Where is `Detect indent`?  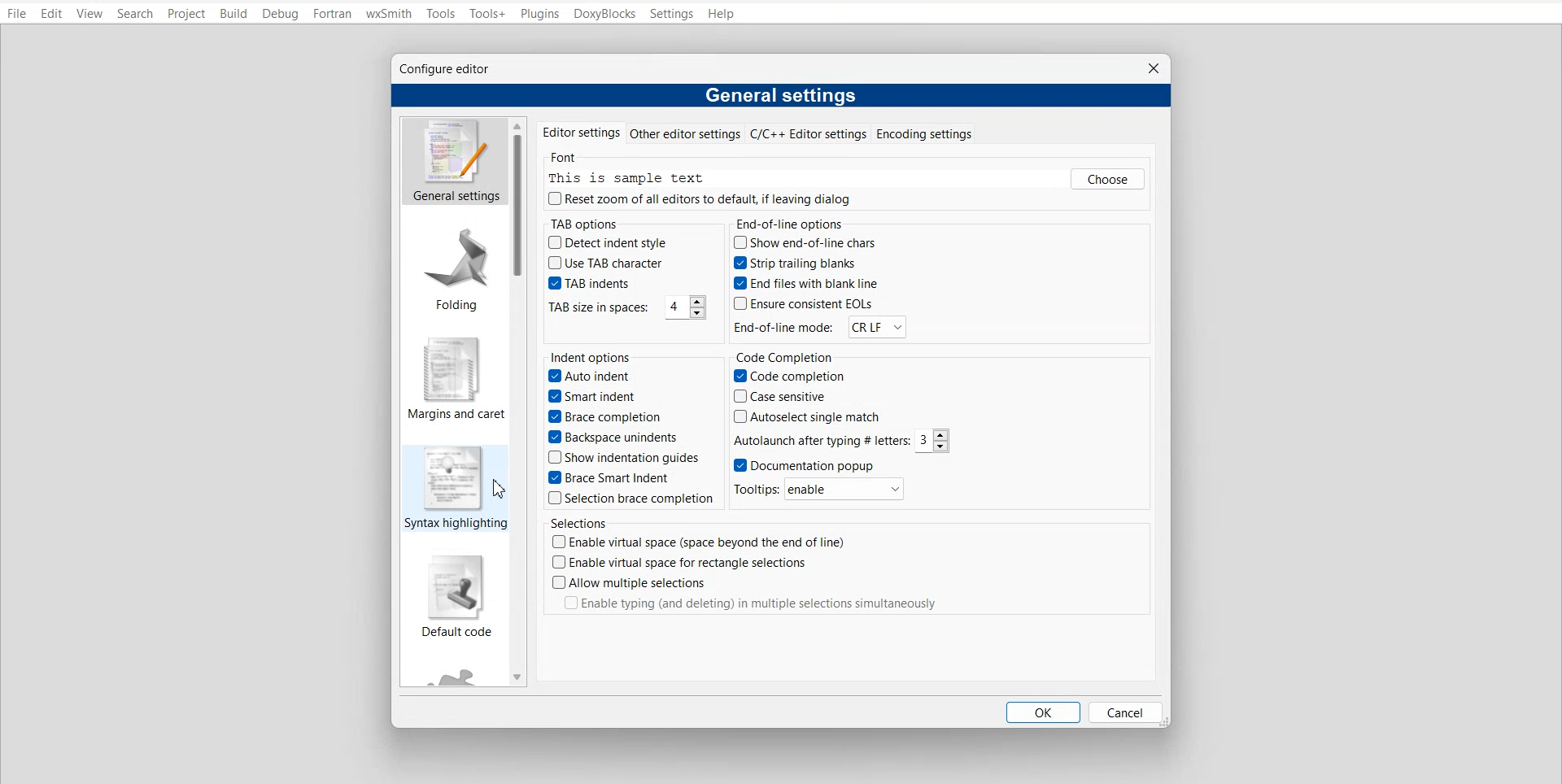 Detect indent is located at coordinates (609, 243).